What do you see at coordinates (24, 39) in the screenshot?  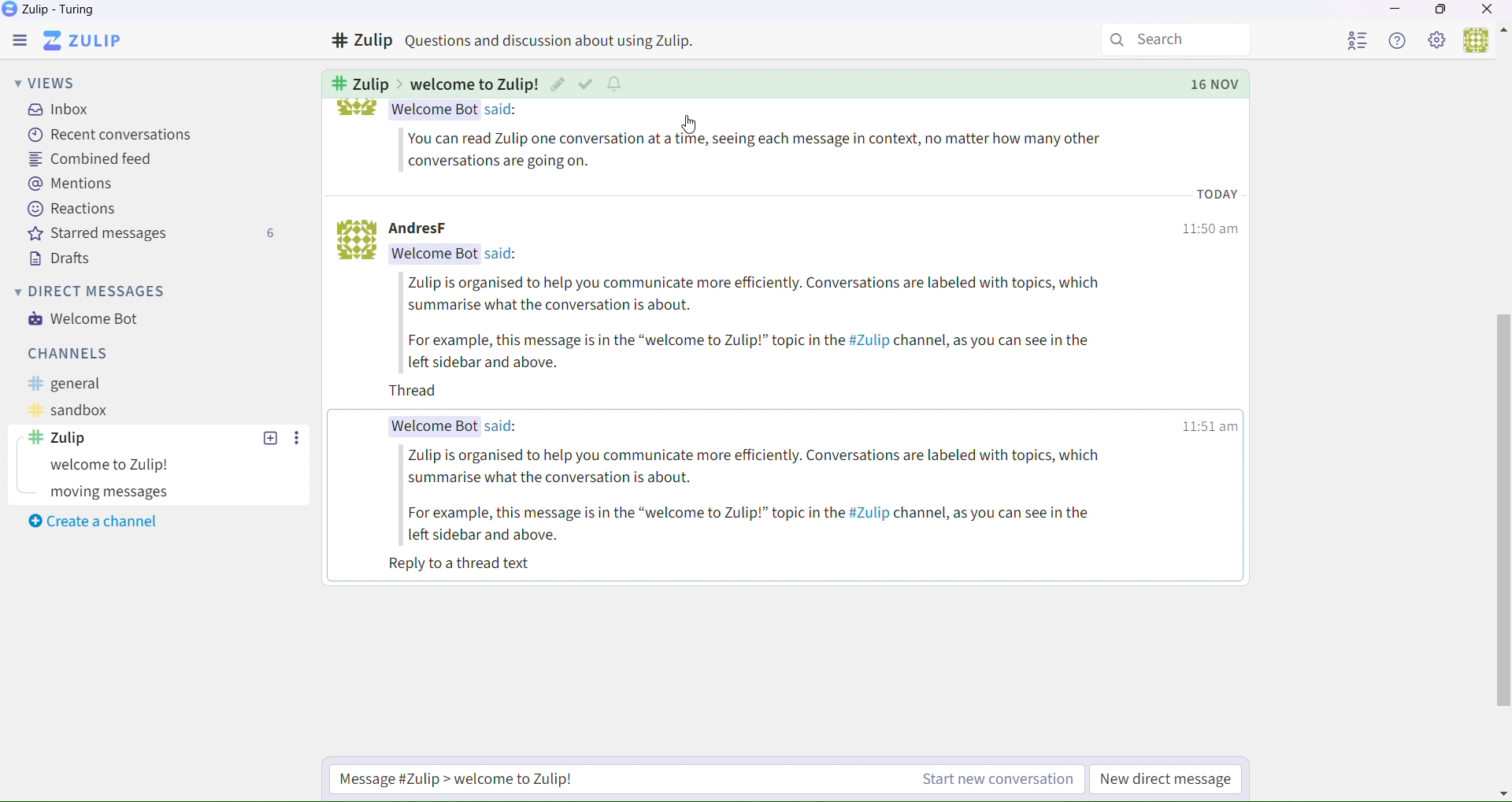 I see `Menu` at bounding box center [24, 39].